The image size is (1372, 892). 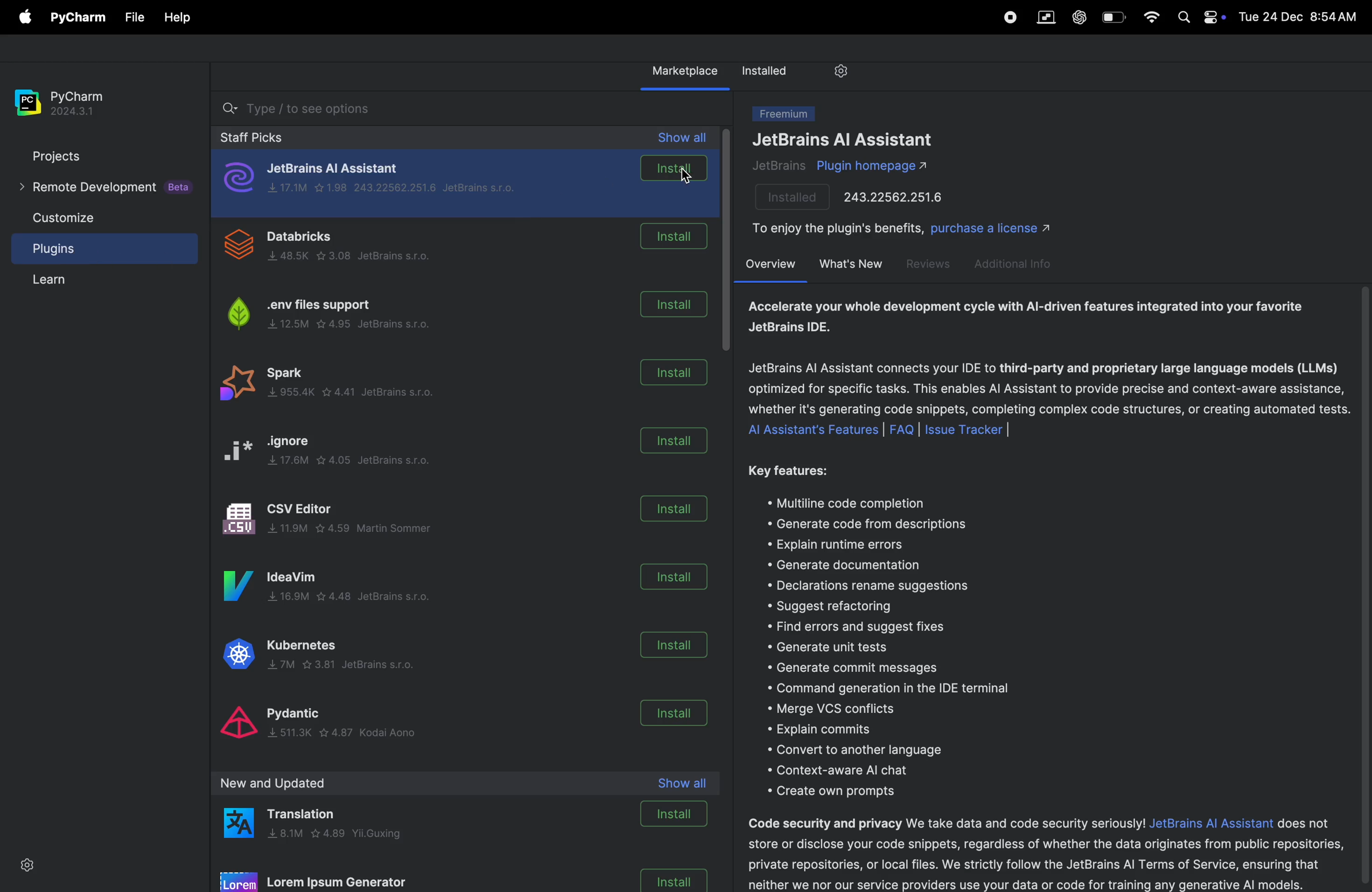 I want to click on searchbar, so click(x=474, y=111).